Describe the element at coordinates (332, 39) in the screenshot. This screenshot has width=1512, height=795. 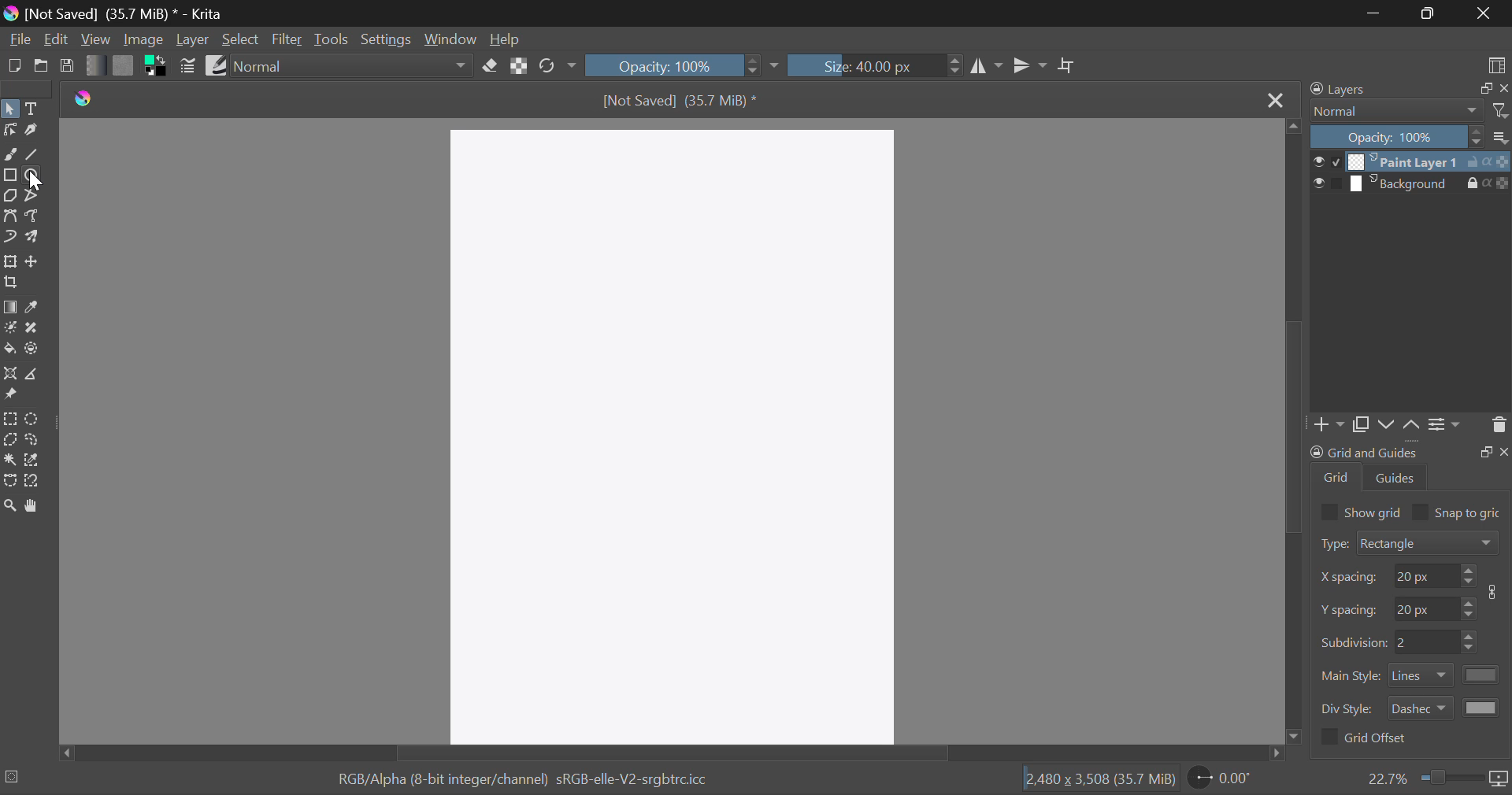
I see `Tools` at that location.